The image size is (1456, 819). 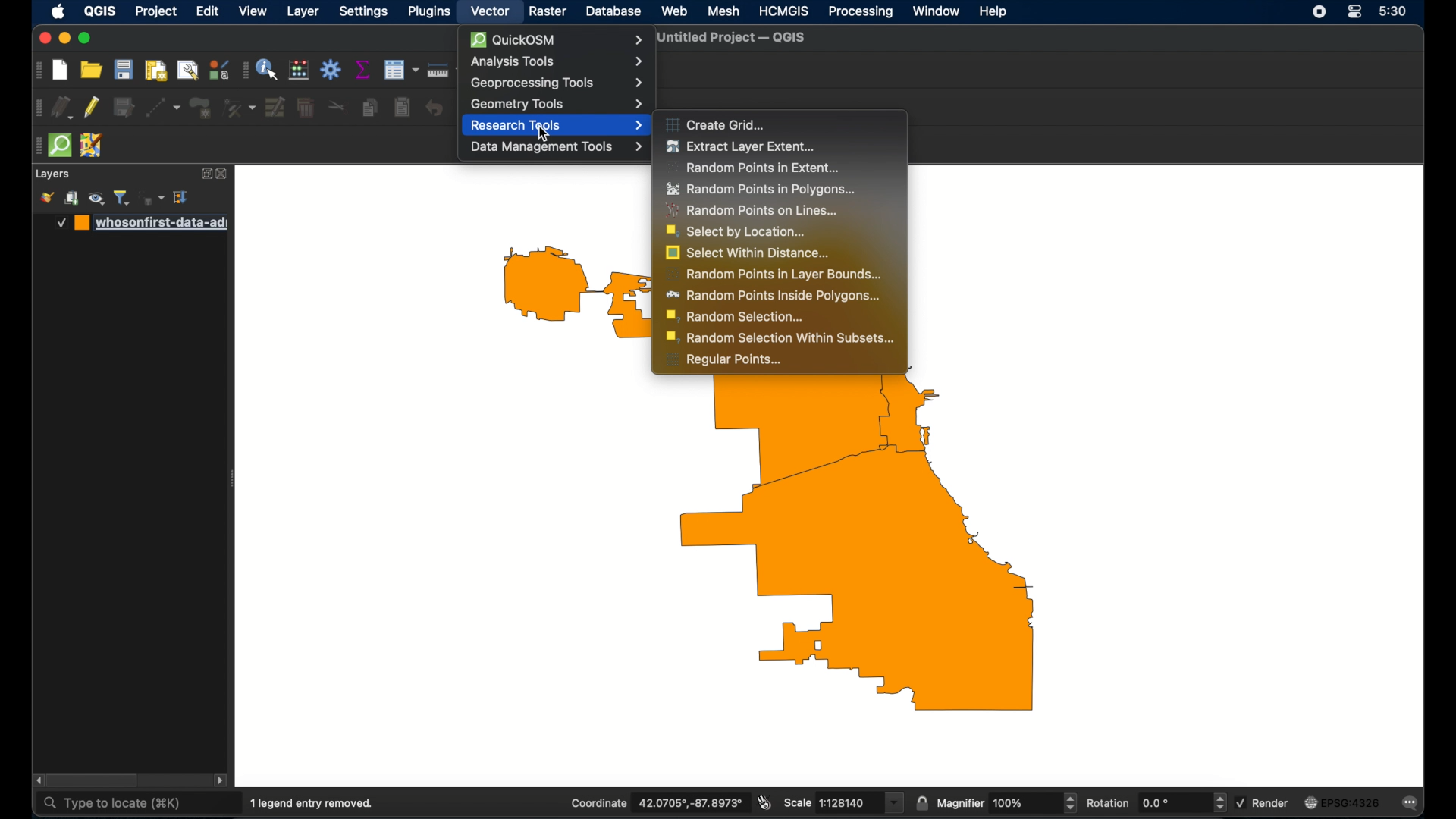 What do you see at coordinates (716, 124) in the screenshot?
I see `create  grid` at bounding box center [716, 124].